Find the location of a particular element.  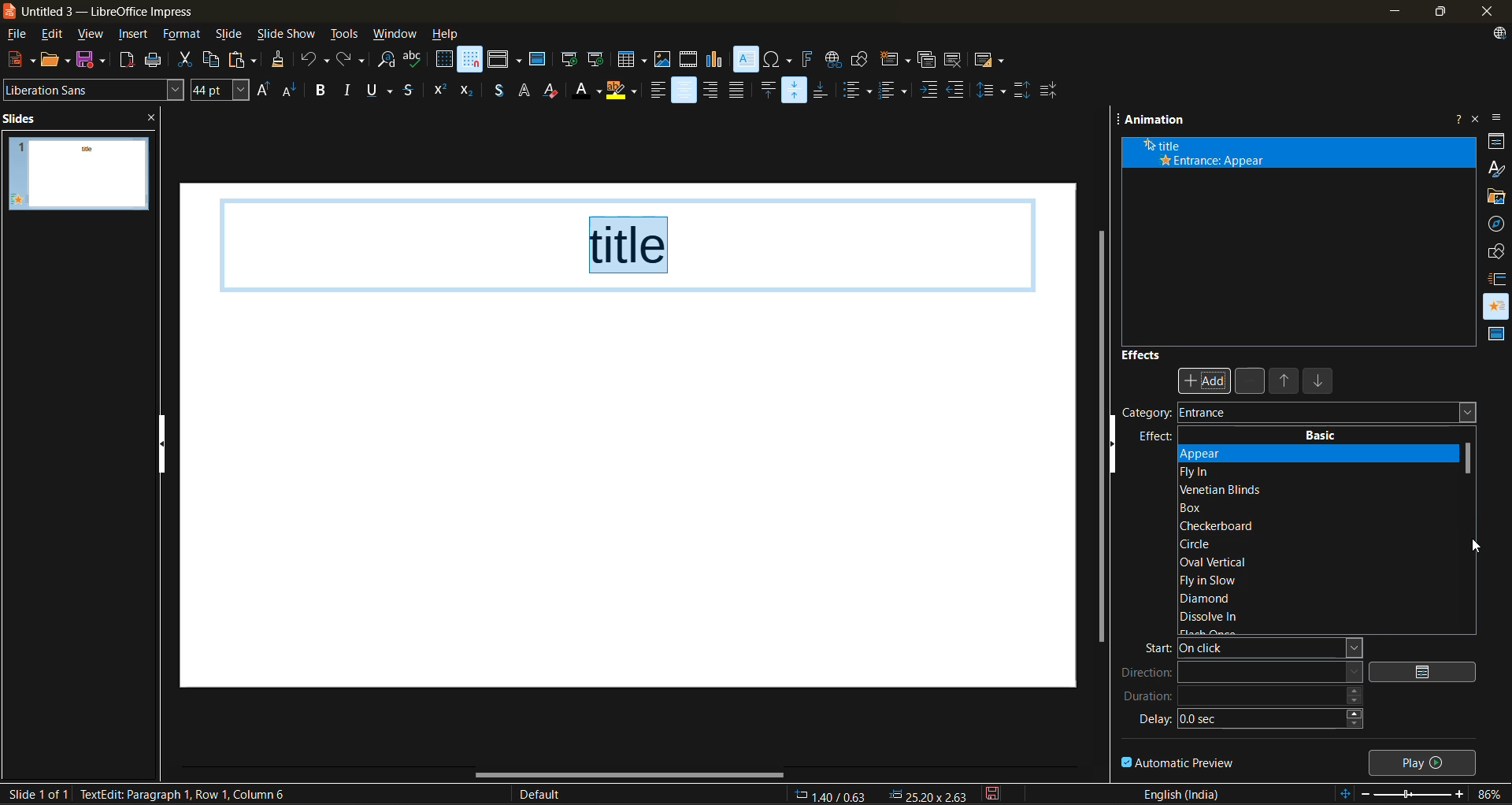

window is located at coordinates (396, 35).